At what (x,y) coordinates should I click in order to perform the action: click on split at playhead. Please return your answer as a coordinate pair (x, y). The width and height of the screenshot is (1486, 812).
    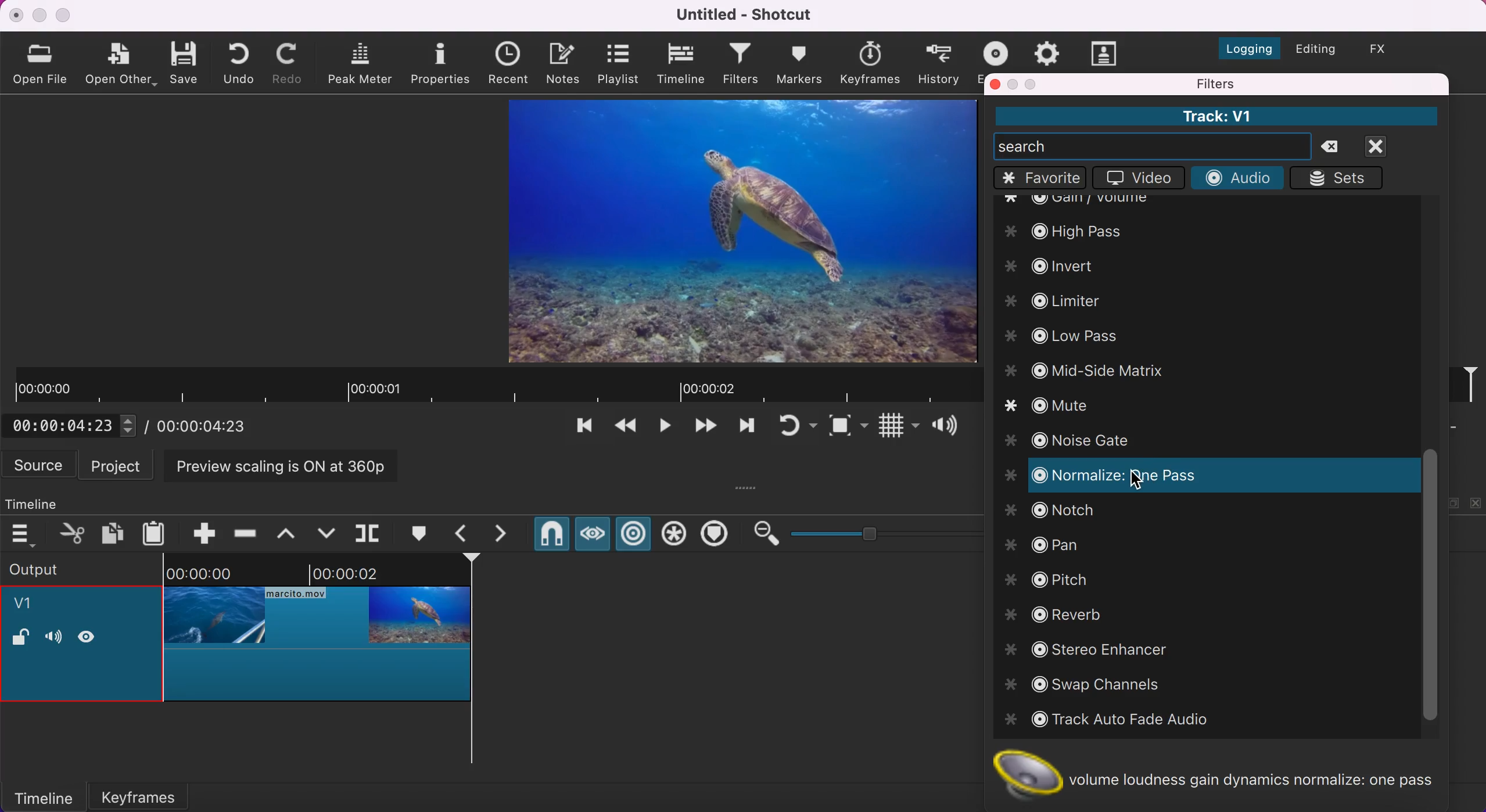
    Looking at the image, I should click on (370, 534).